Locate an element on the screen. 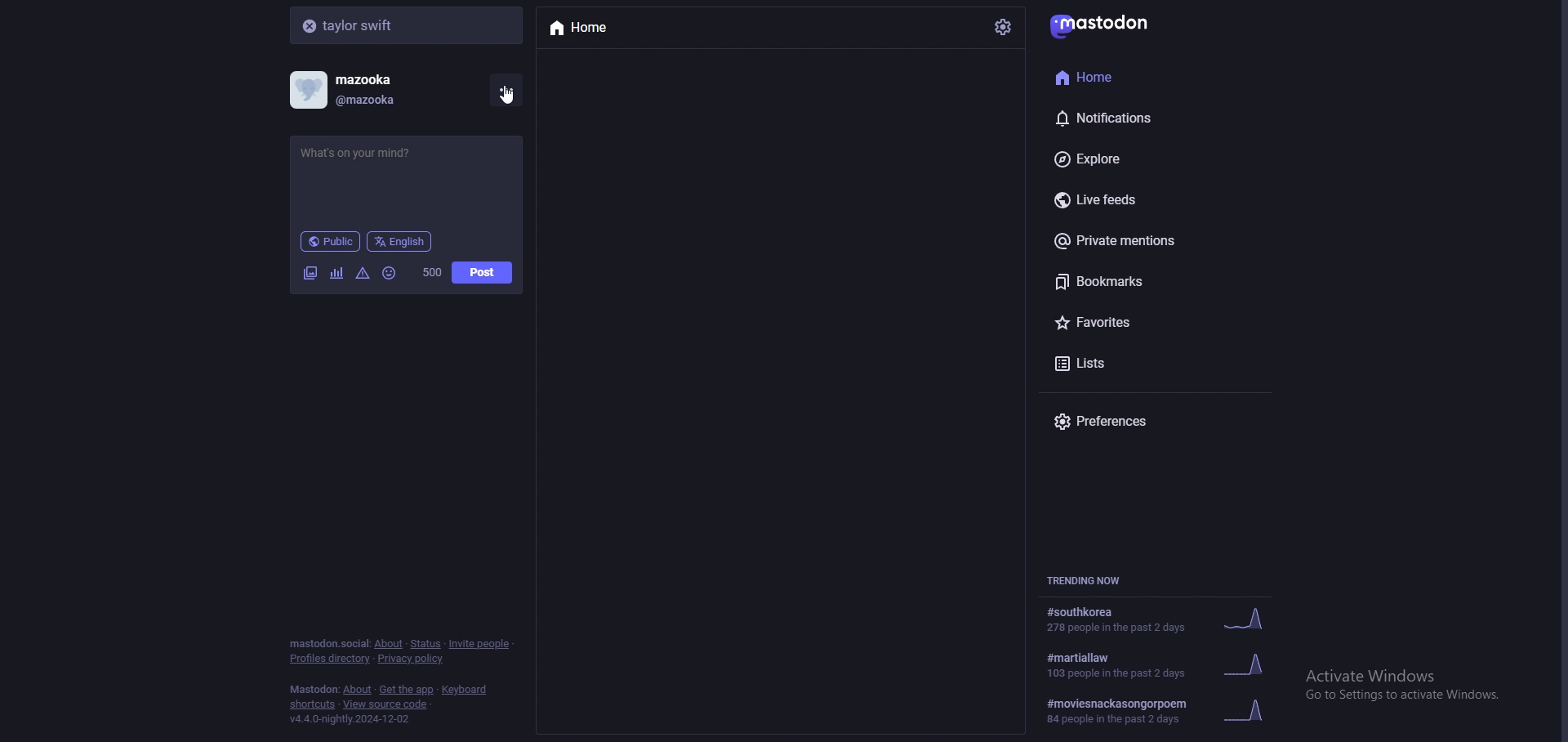  mastodon is located at coordinates (1106, 25).